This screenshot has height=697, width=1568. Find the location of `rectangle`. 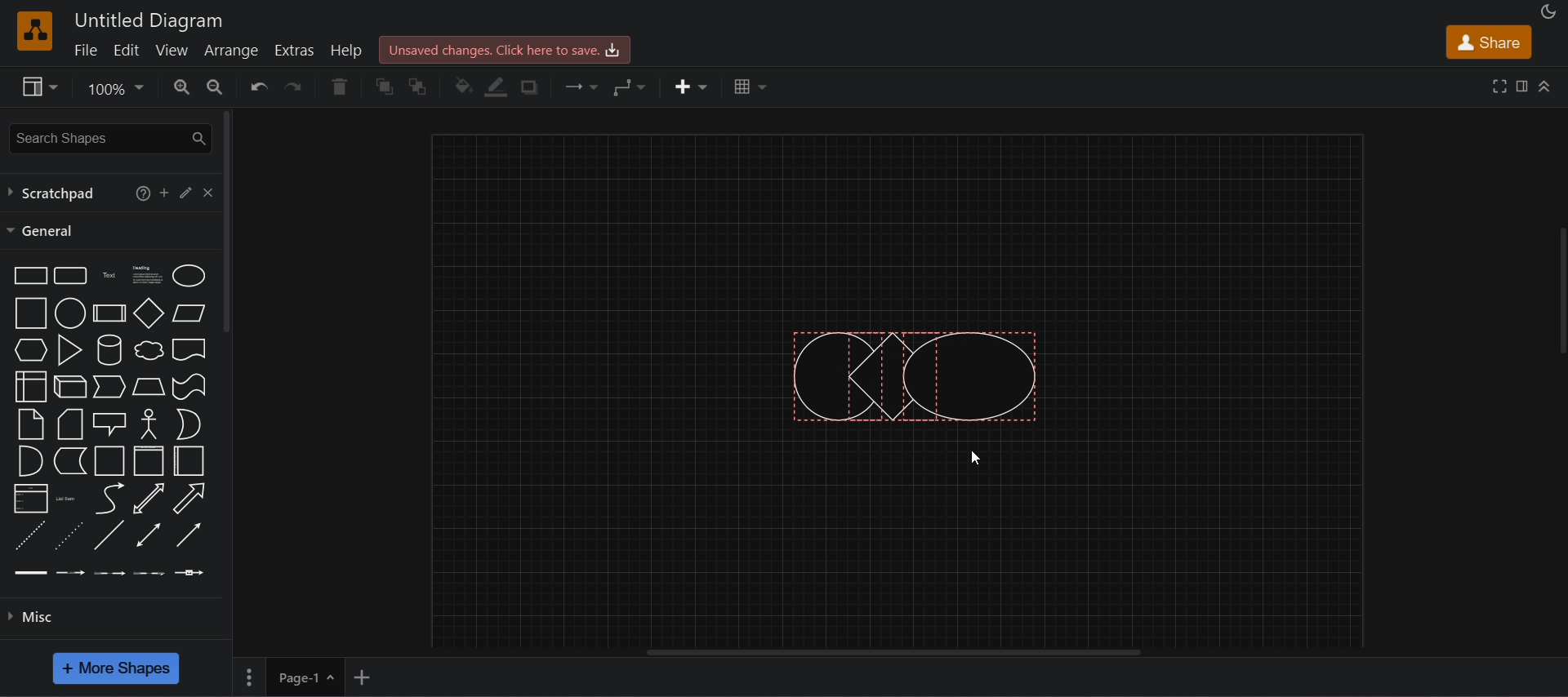

rectangle is located at coordinates (27, 274).